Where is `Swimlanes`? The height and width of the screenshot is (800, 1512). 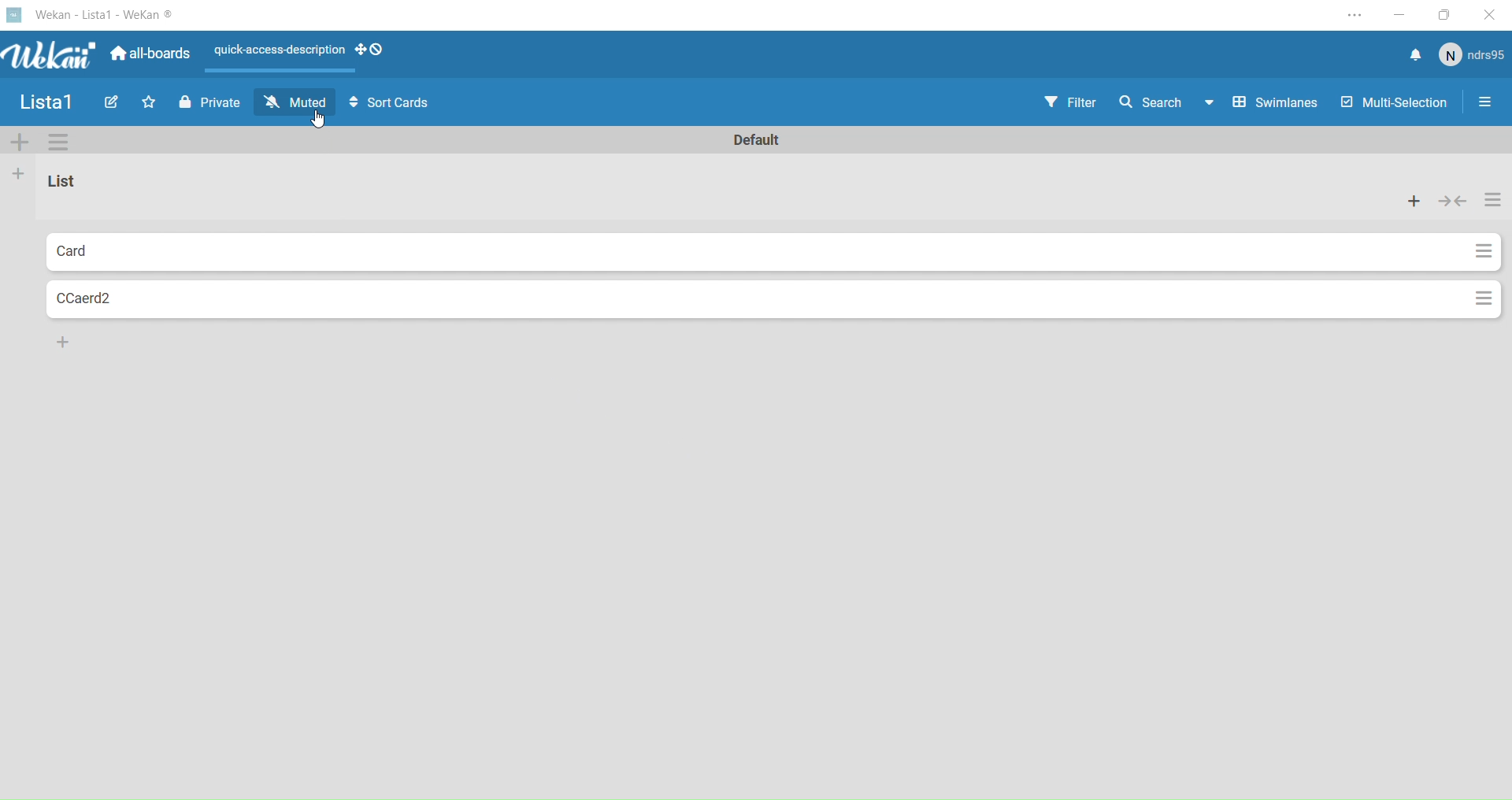 Swimlanes is located at coordinates (1271, 103).